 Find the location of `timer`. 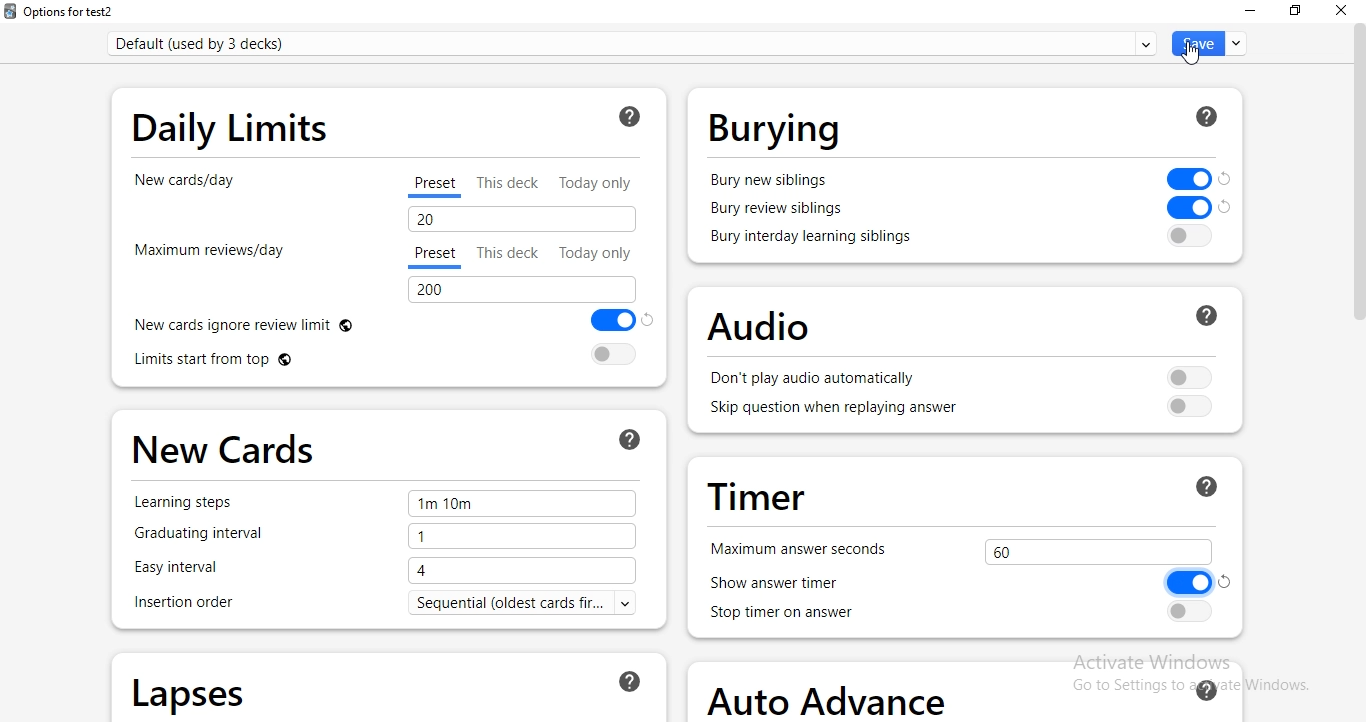

timer is located at coordinates (965, 492).